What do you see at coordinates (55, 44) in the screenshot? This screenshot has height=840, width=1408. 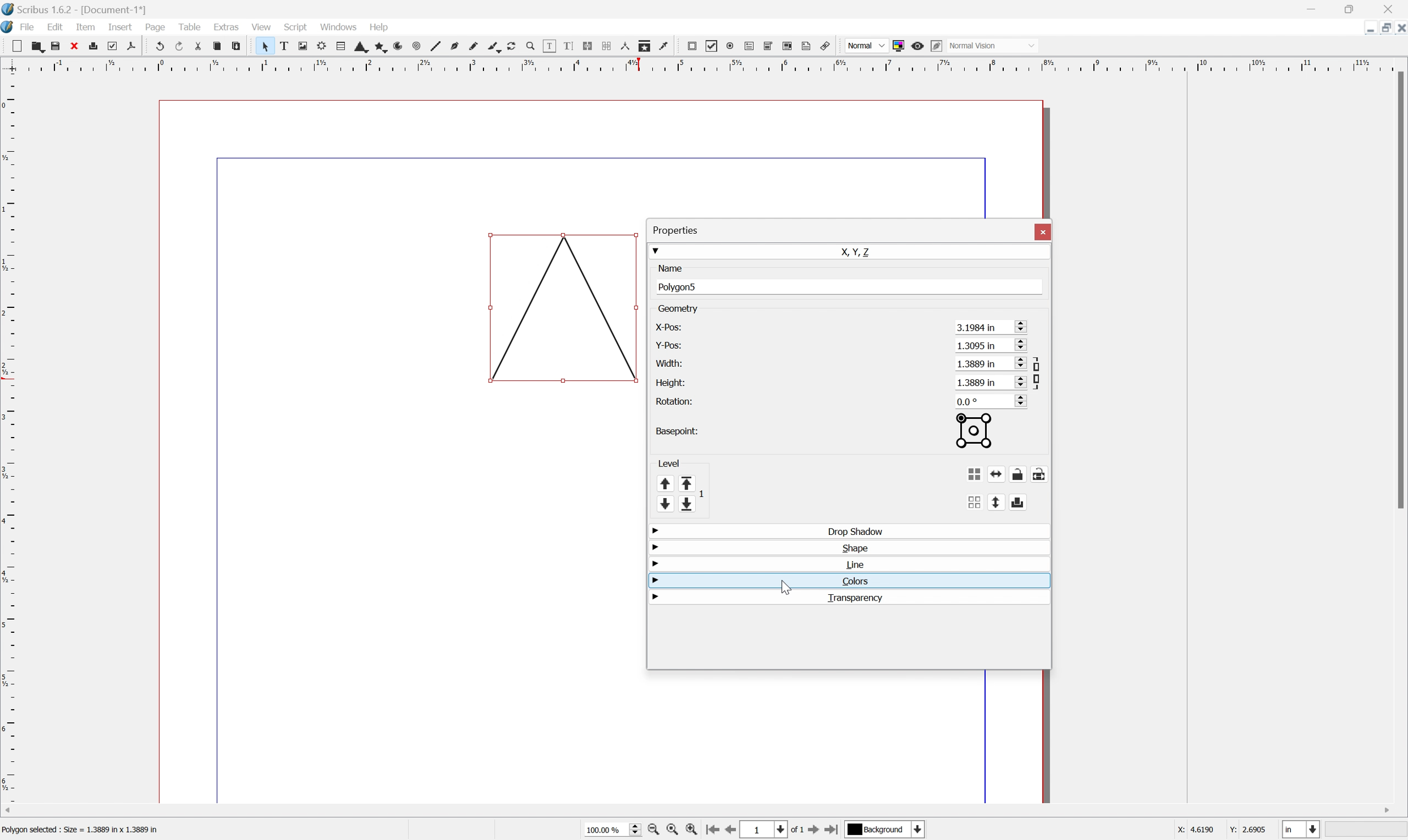 I see `Save` at bounding box center [55, 44].